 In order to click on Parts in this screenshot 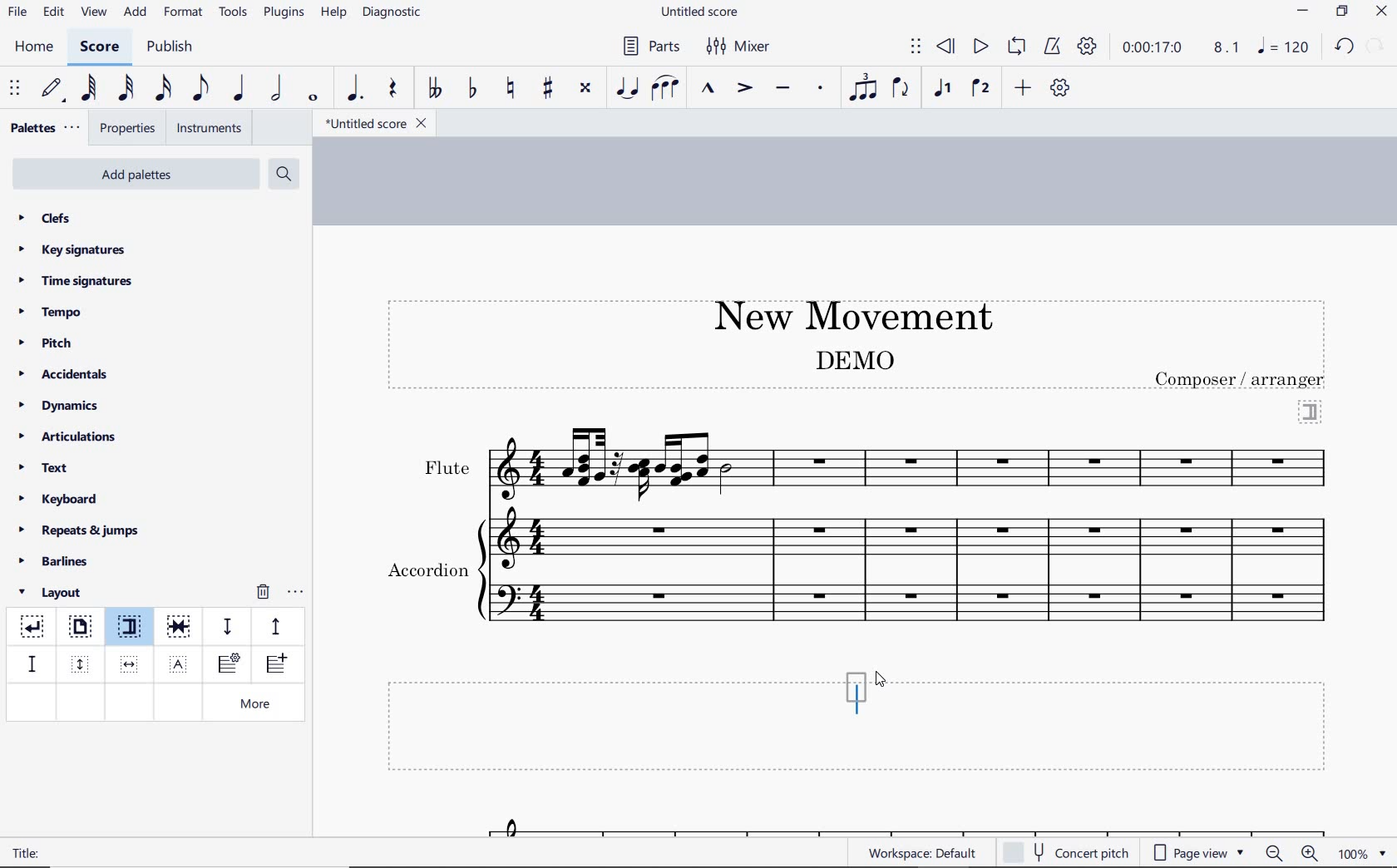, I will do `click(648, 47)`.